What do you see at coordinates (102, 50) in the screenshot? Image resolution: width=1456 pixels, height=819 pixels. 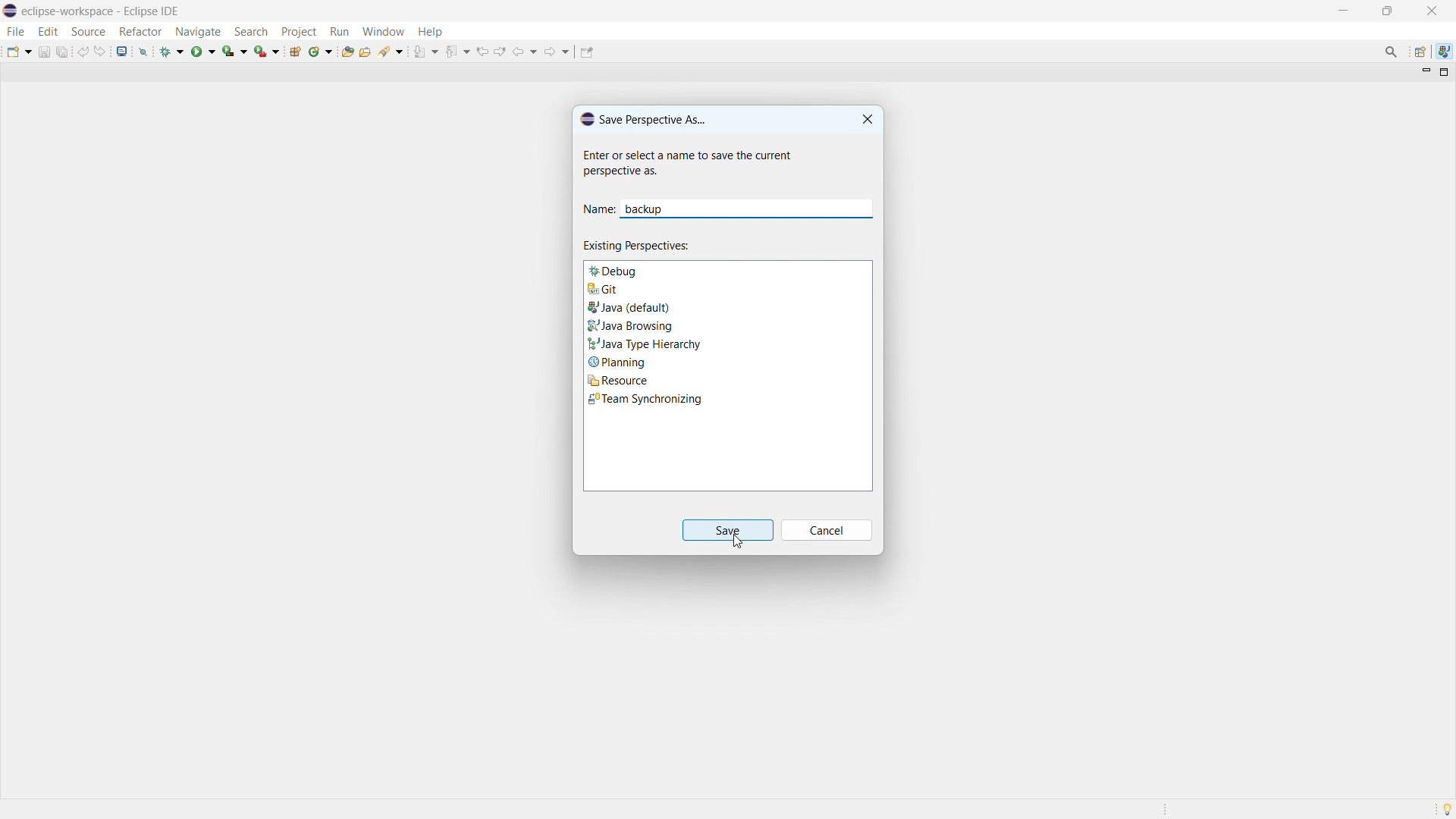 I see `redo` at bounding box center [102, 50].